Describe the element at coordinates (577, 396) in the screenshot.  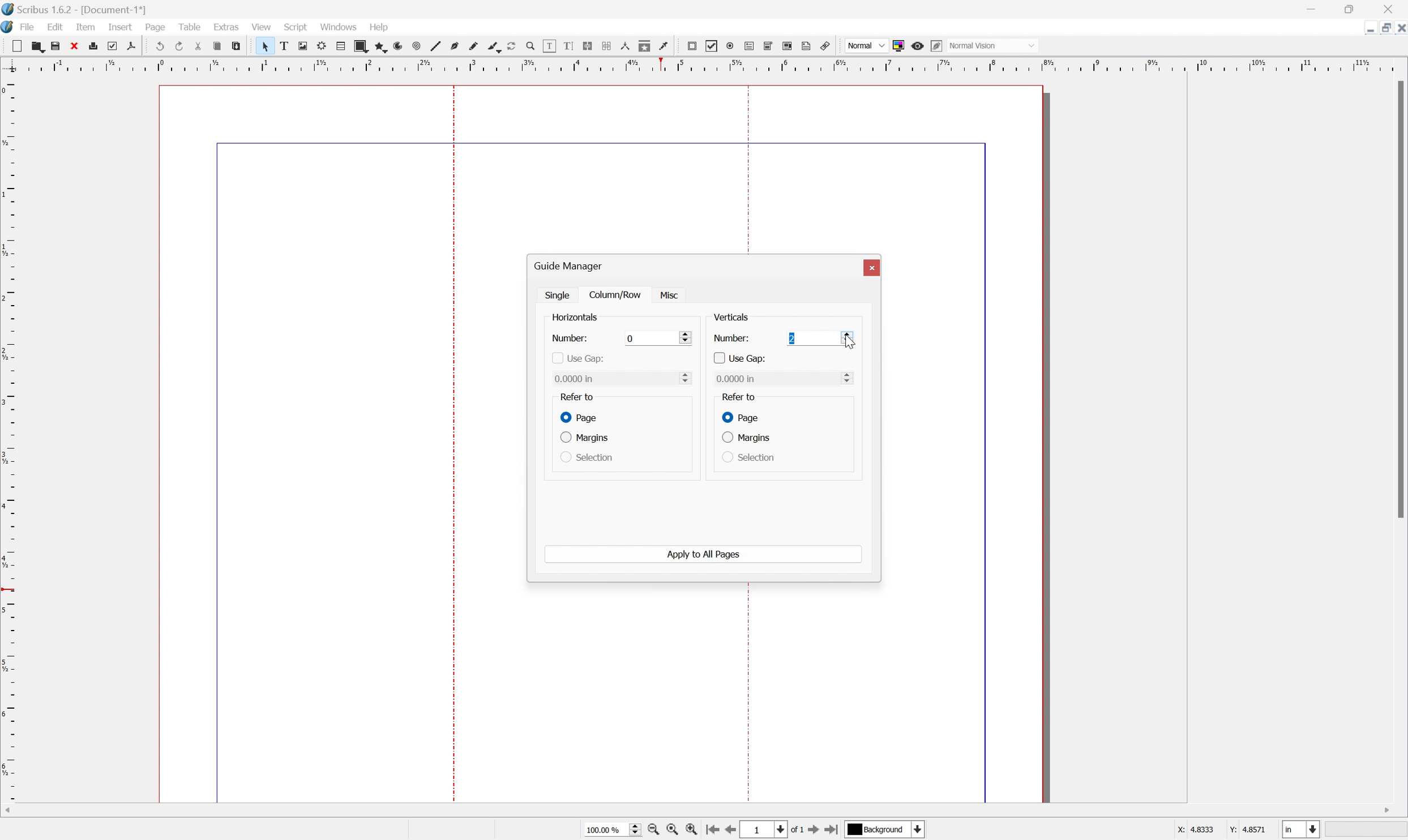
I see `refer to` at that location.